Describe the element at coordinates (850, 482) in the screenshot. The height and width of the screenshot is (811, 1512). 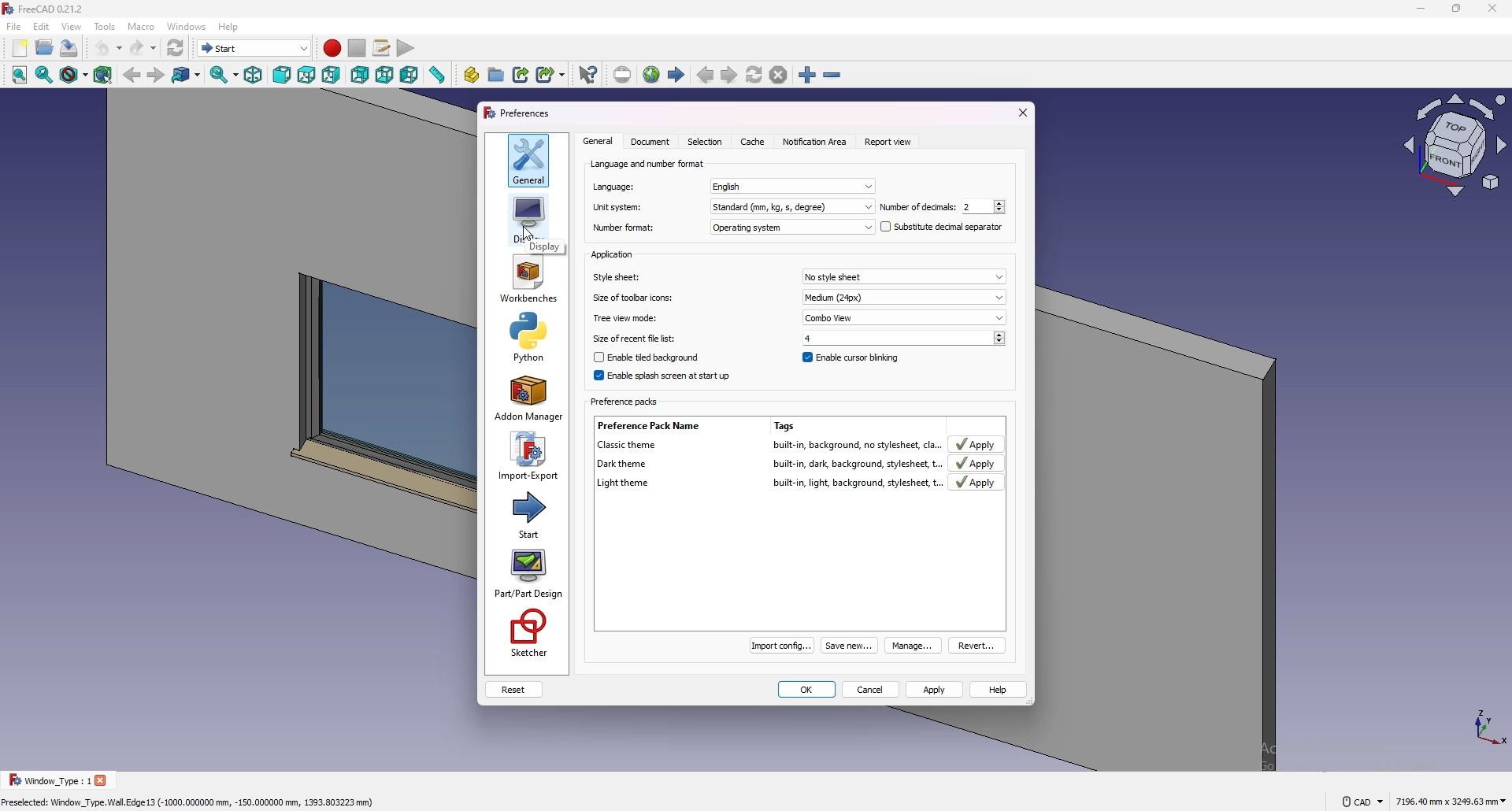
I see `built-in, light, background, stylesheet,` at that location.